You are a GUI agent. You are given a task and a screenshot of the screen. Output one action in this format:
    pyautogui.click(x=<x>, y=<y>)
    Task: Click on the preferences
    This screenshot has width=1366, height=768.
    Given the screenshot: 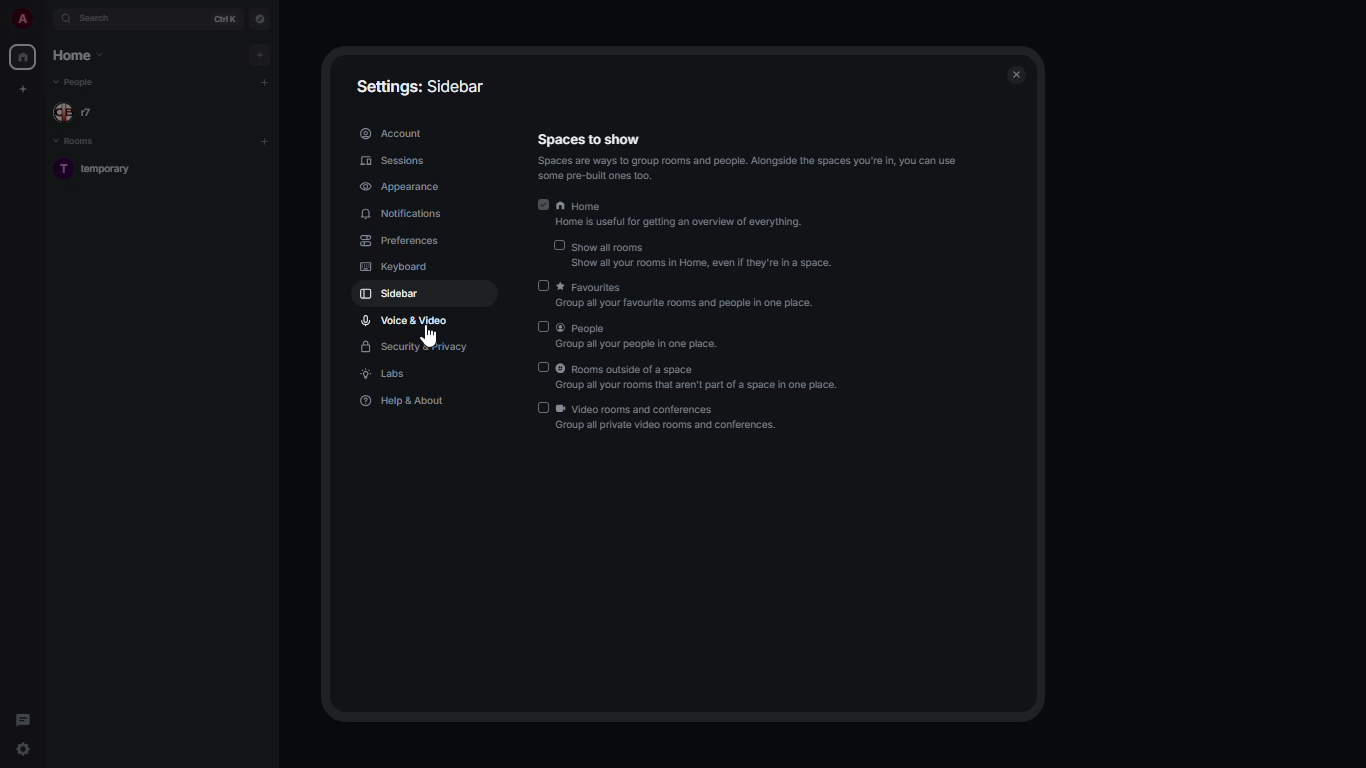 What is the action you would take?
    pyautogui.click(x=401, y=242)
    